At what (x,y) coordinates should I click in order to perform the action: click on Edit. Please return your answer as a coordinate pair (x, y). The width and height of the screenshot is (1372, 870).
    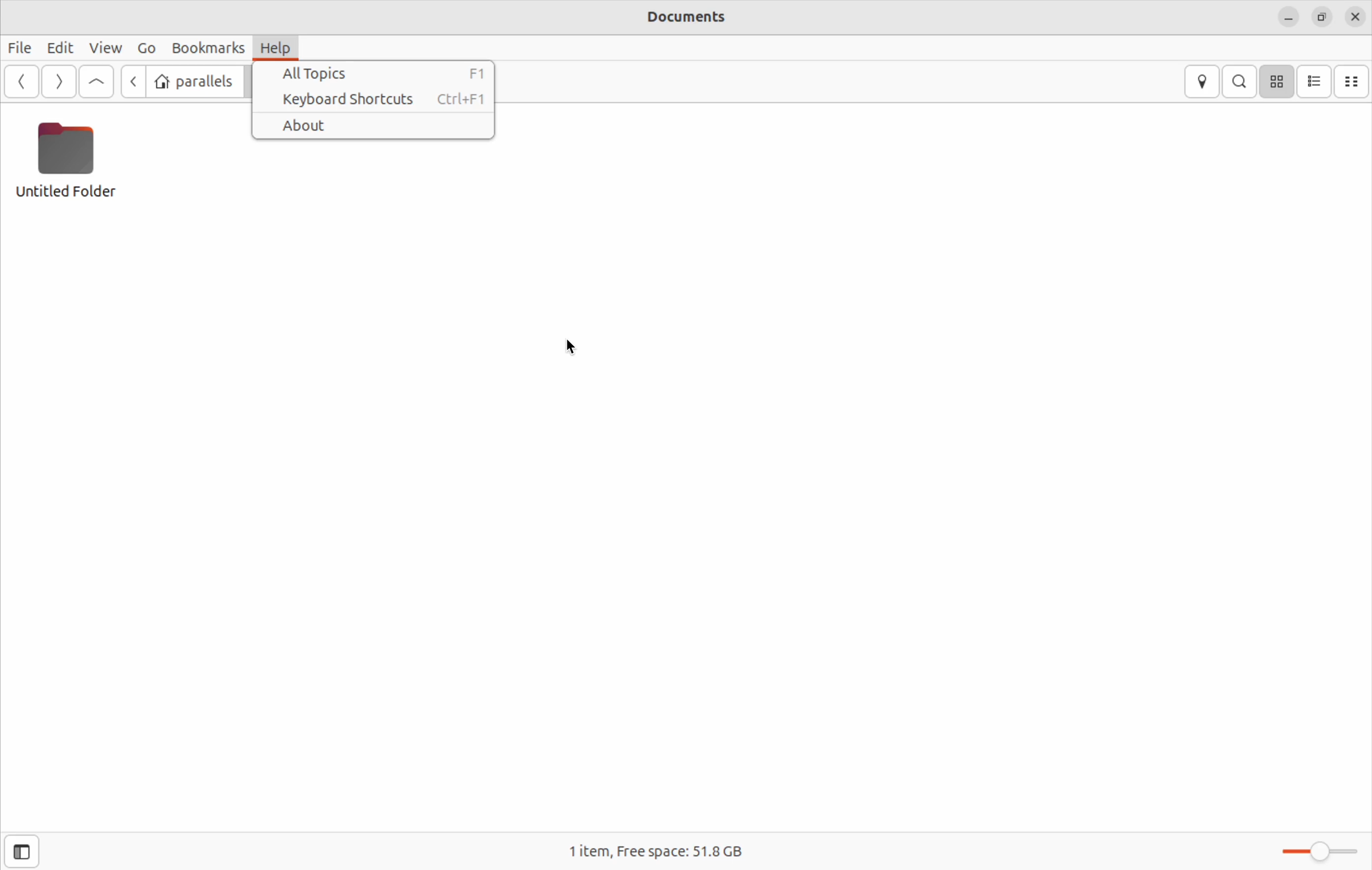
    Looking at the image, I should click on (59, 47).